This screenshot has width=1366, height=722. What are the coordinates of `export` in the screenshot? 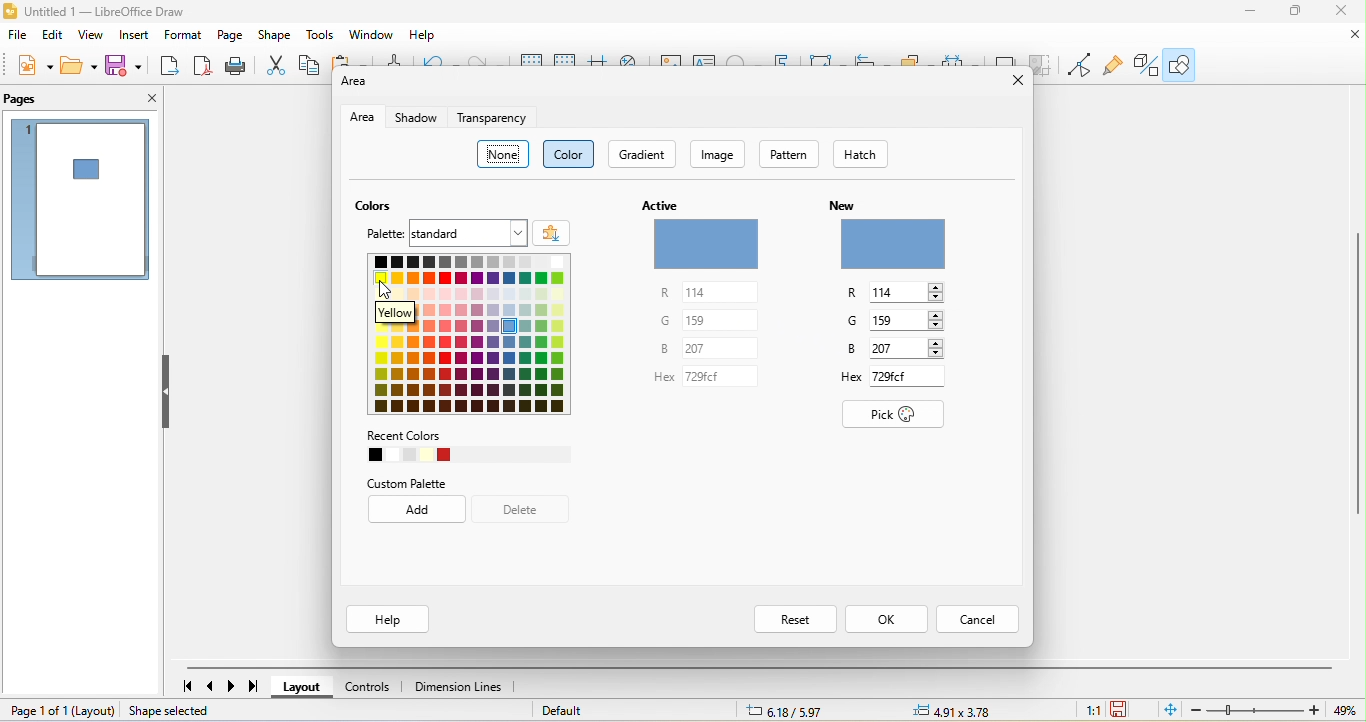 It's located at (169, 68).